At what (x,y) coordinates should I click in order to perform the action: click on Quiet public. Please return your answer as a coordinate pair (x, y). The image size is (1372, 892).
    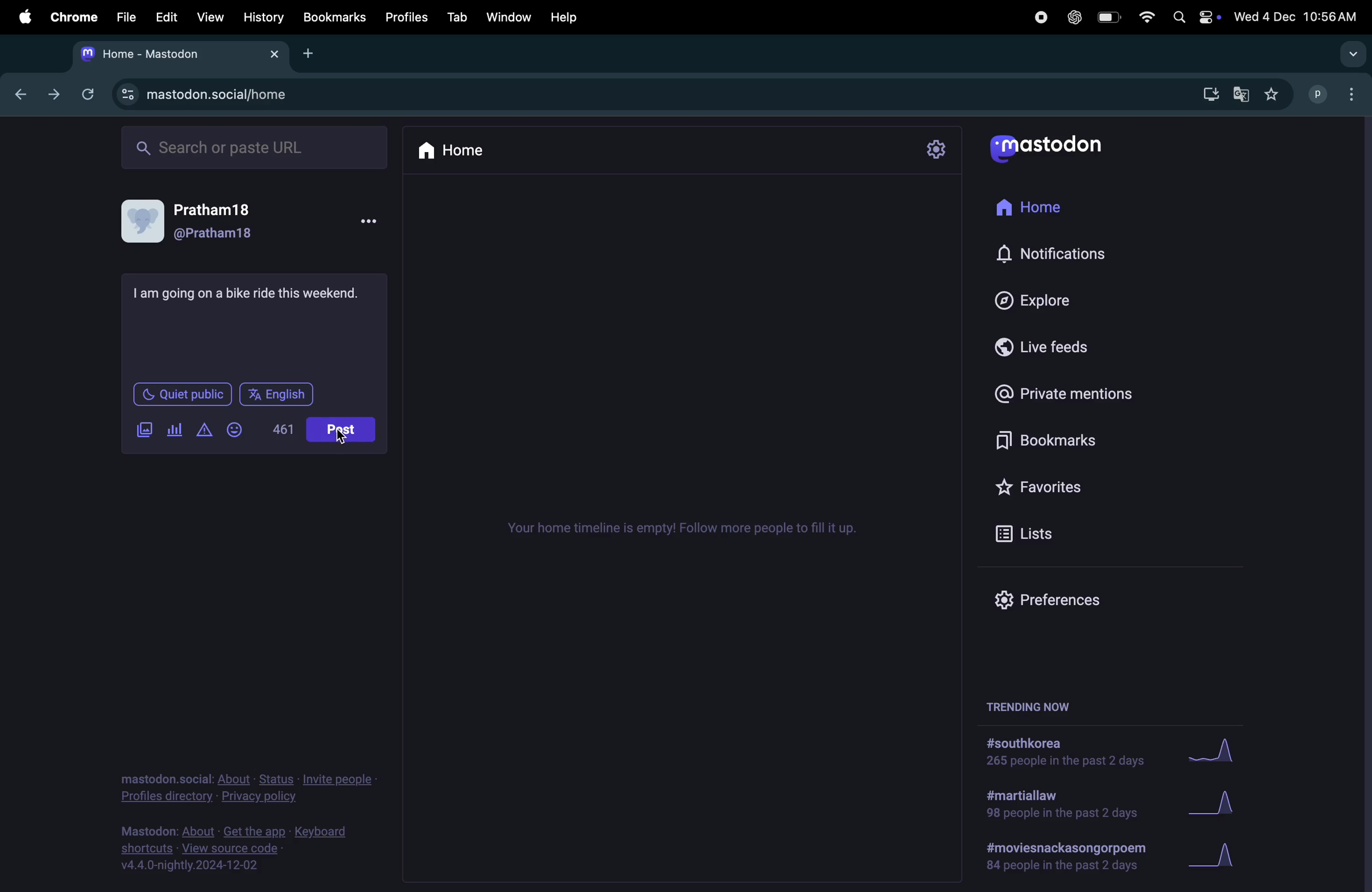
    Looking at the image, I should click on (181, 394).